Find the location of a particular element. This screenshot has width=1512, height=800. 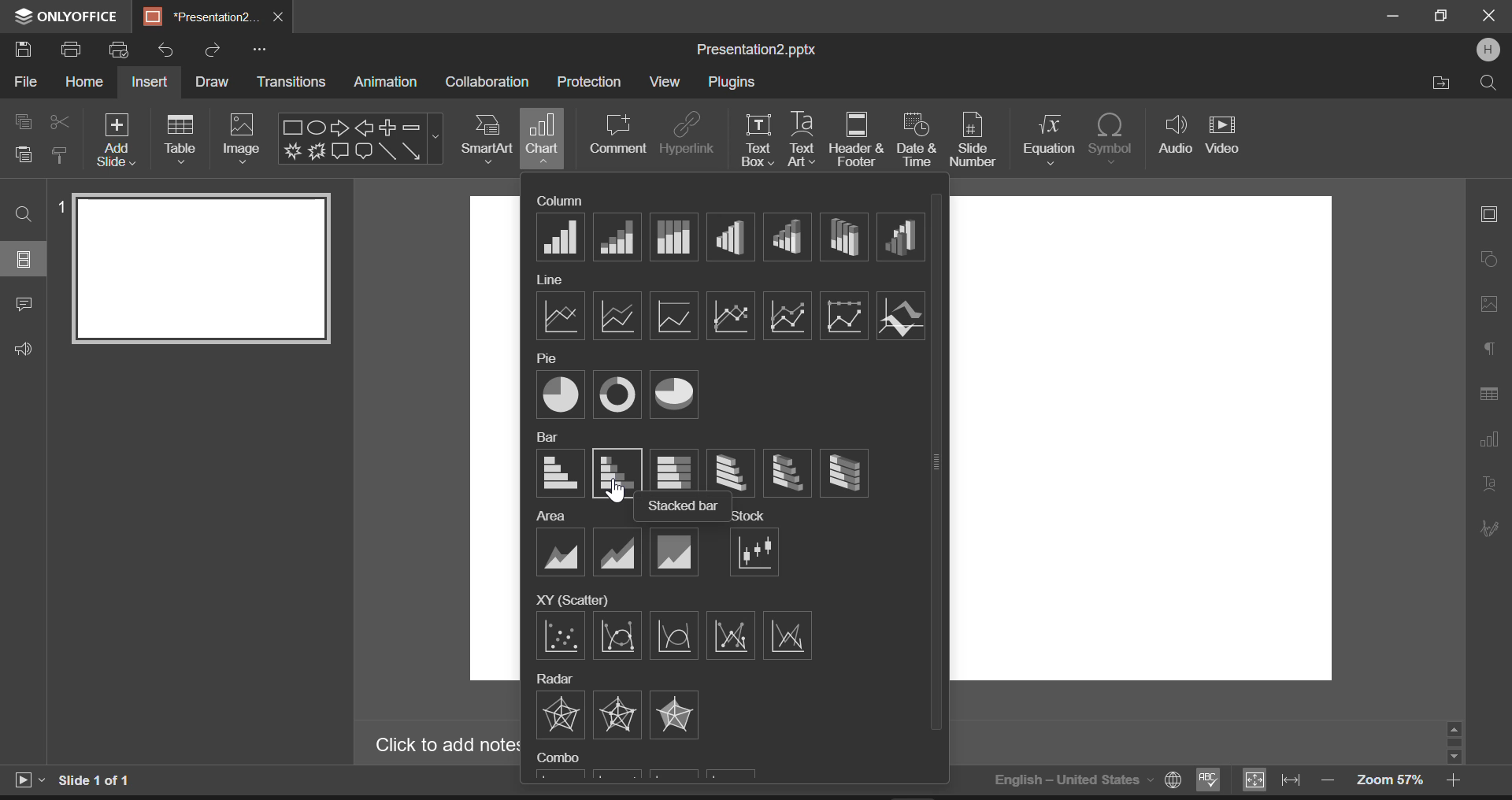

3-D 100% Stacked is located at coordinates (844, 238).